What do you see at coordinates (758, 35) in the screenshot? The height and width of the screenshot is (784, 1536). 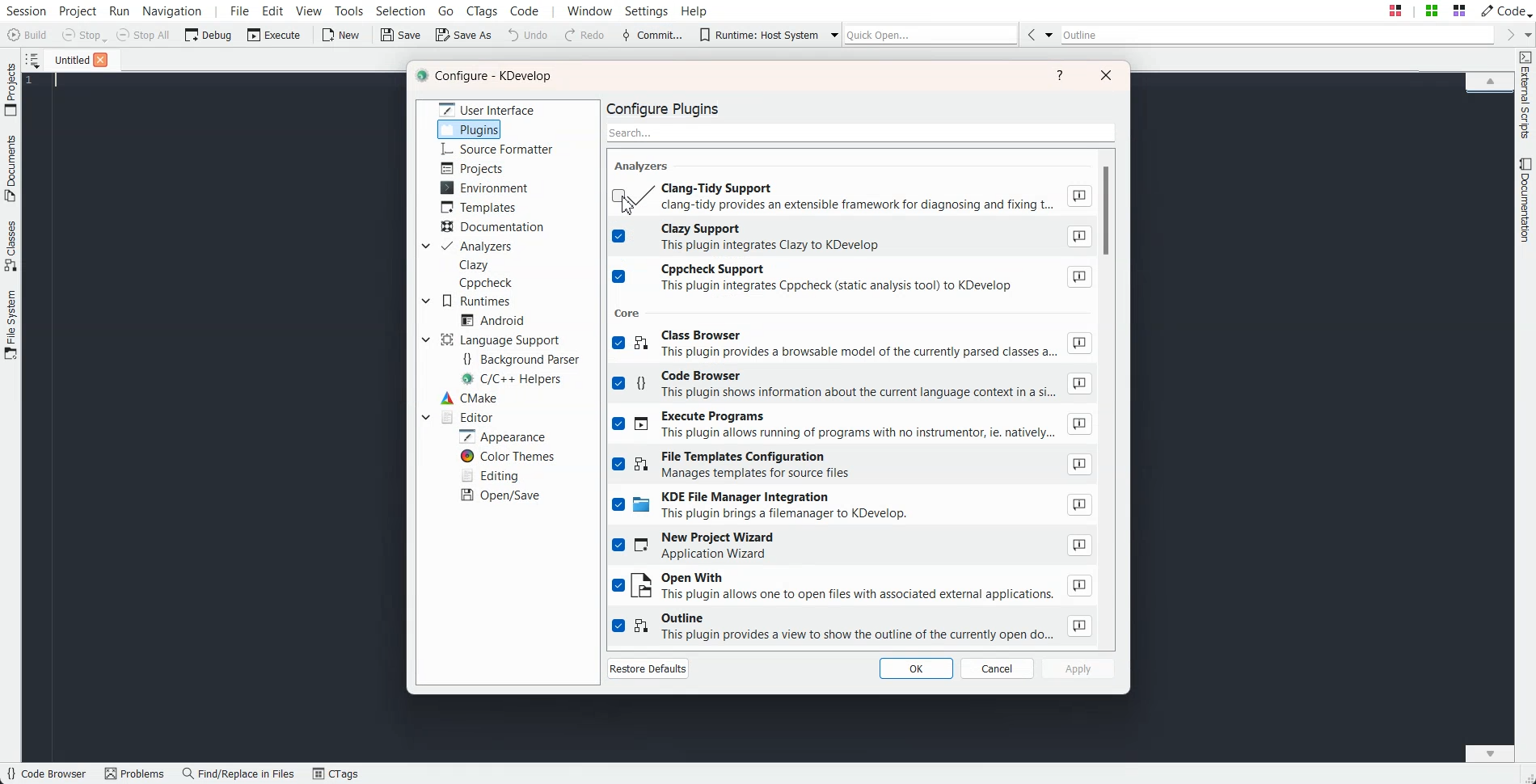 I see `Runtime: Host System` at bounding box center [758, 35].